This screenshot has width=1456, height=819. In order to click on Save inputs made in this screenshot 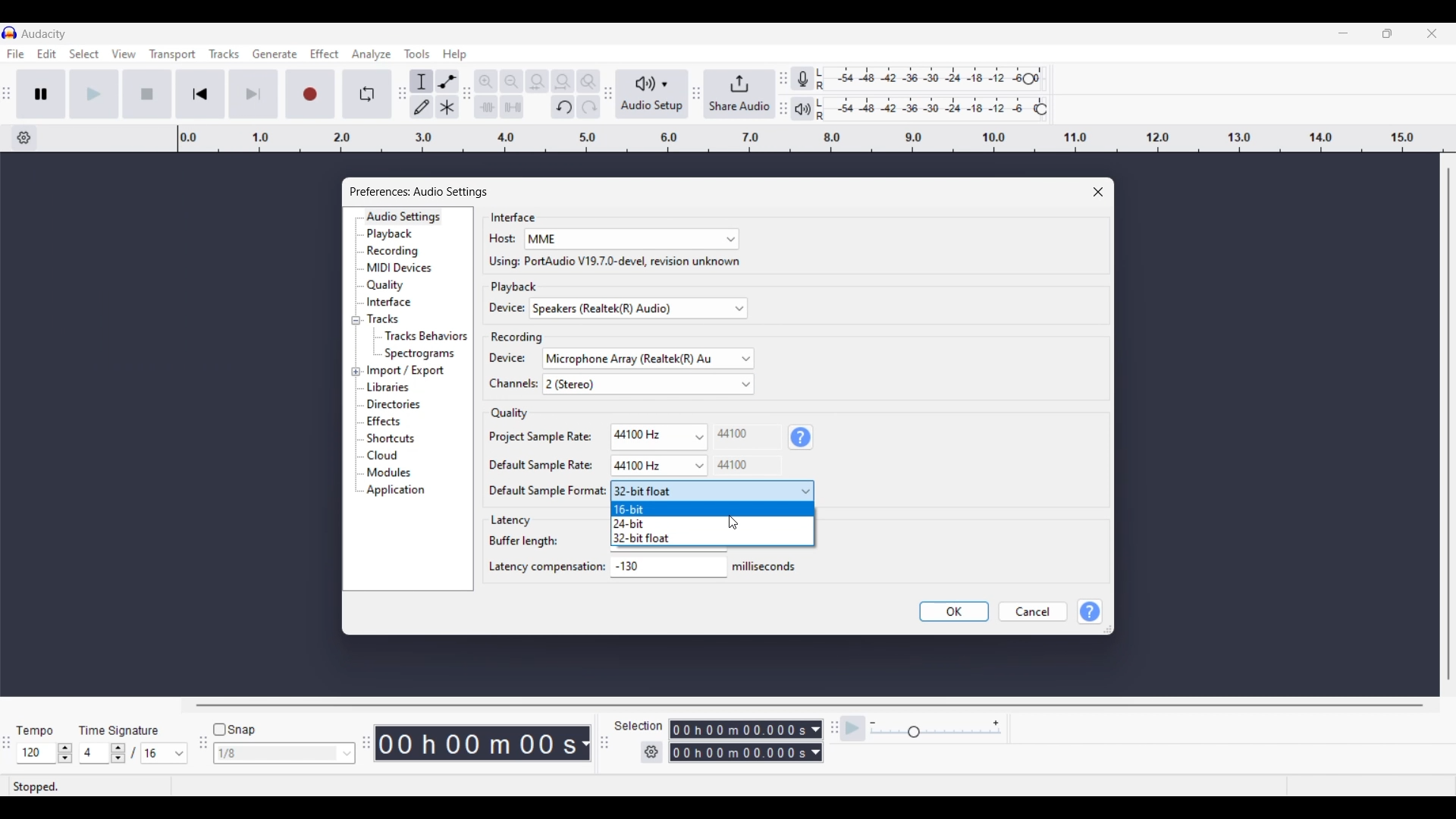, I will do `click(954, 612)`.